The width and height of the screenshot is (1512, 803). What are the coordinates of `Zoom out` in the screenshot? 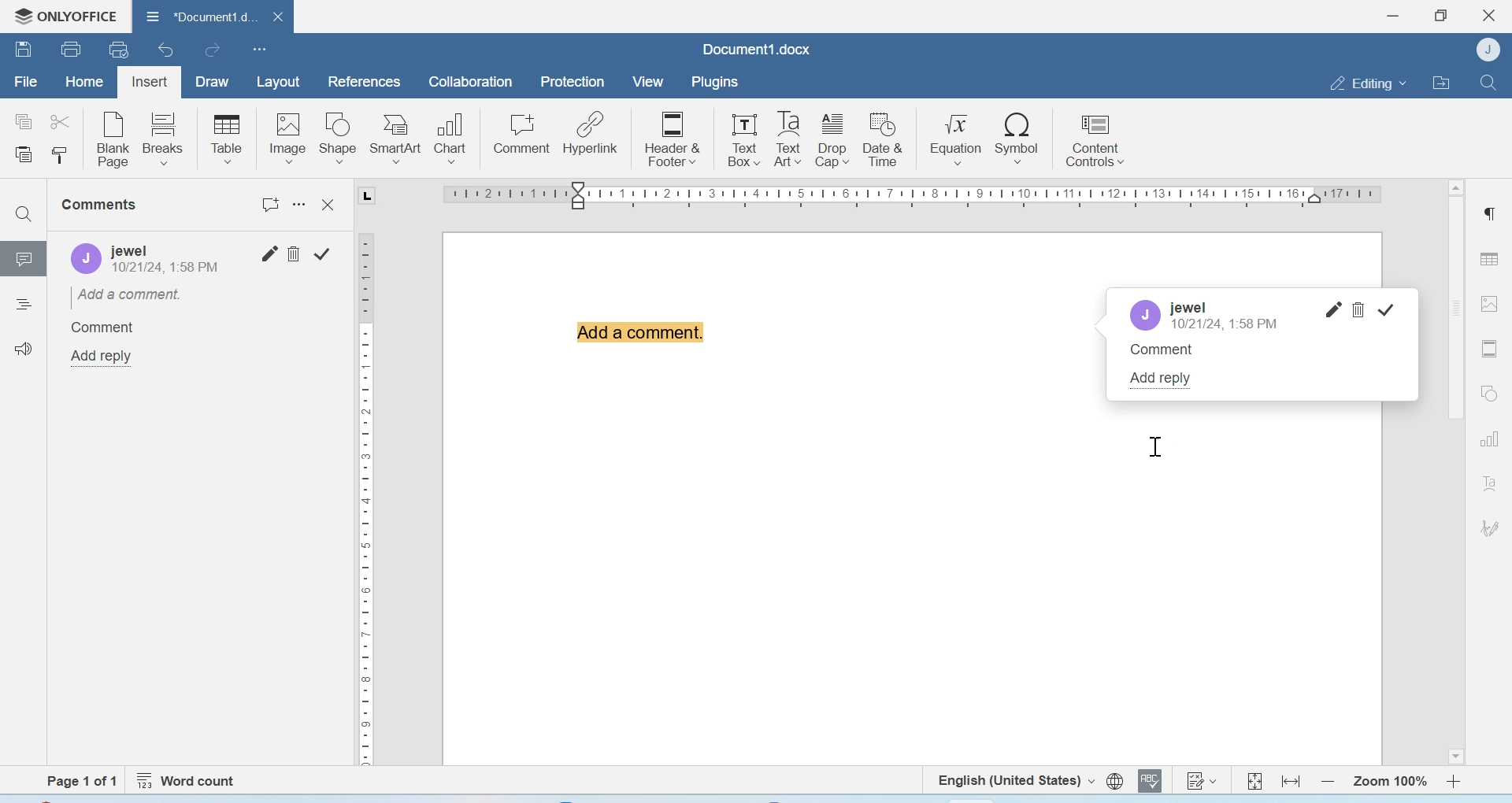 It's located at (1328, 781).